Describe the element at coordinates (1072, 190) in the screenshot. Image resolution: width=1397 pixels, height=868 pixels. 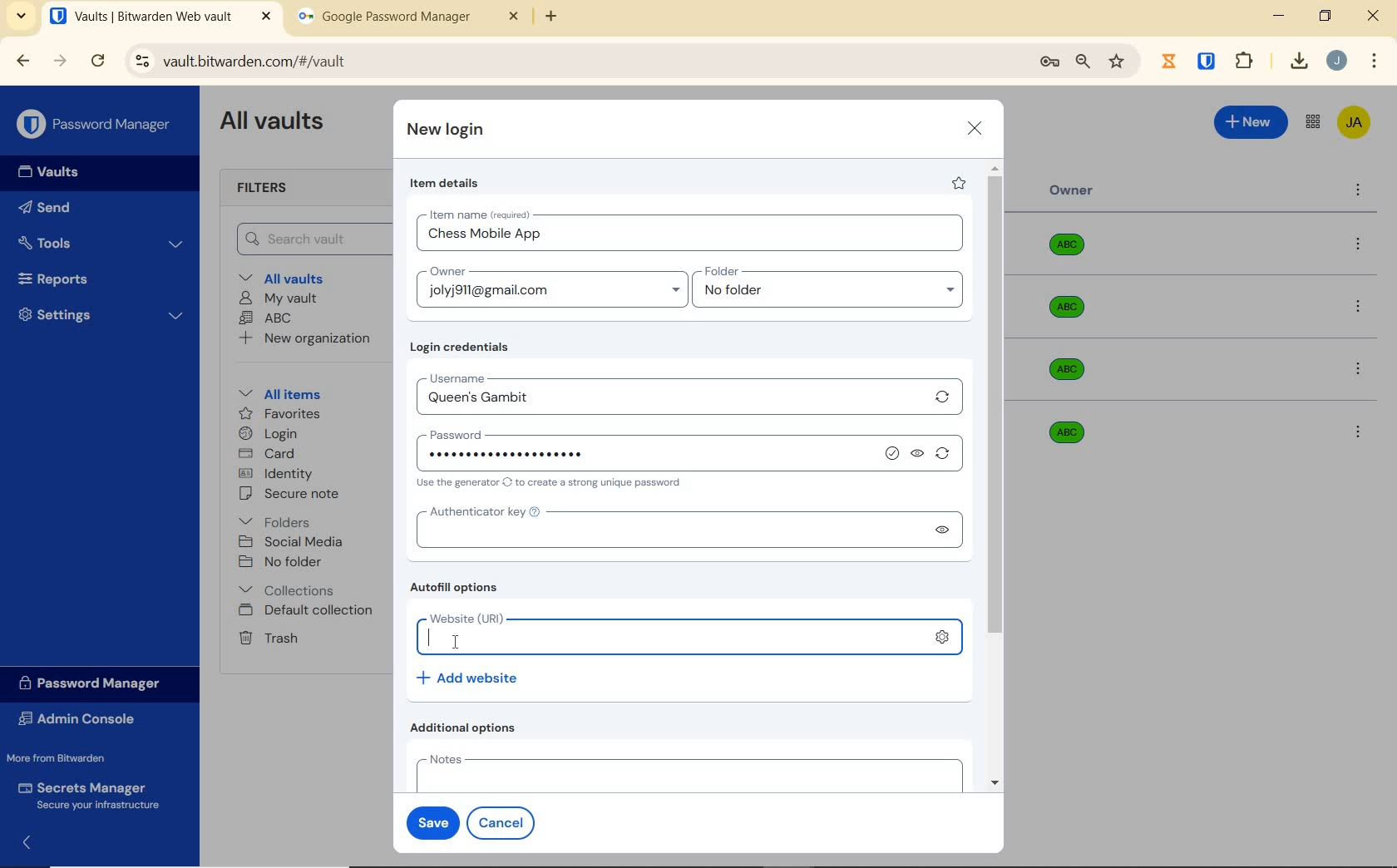
I see `Owner` at that location.